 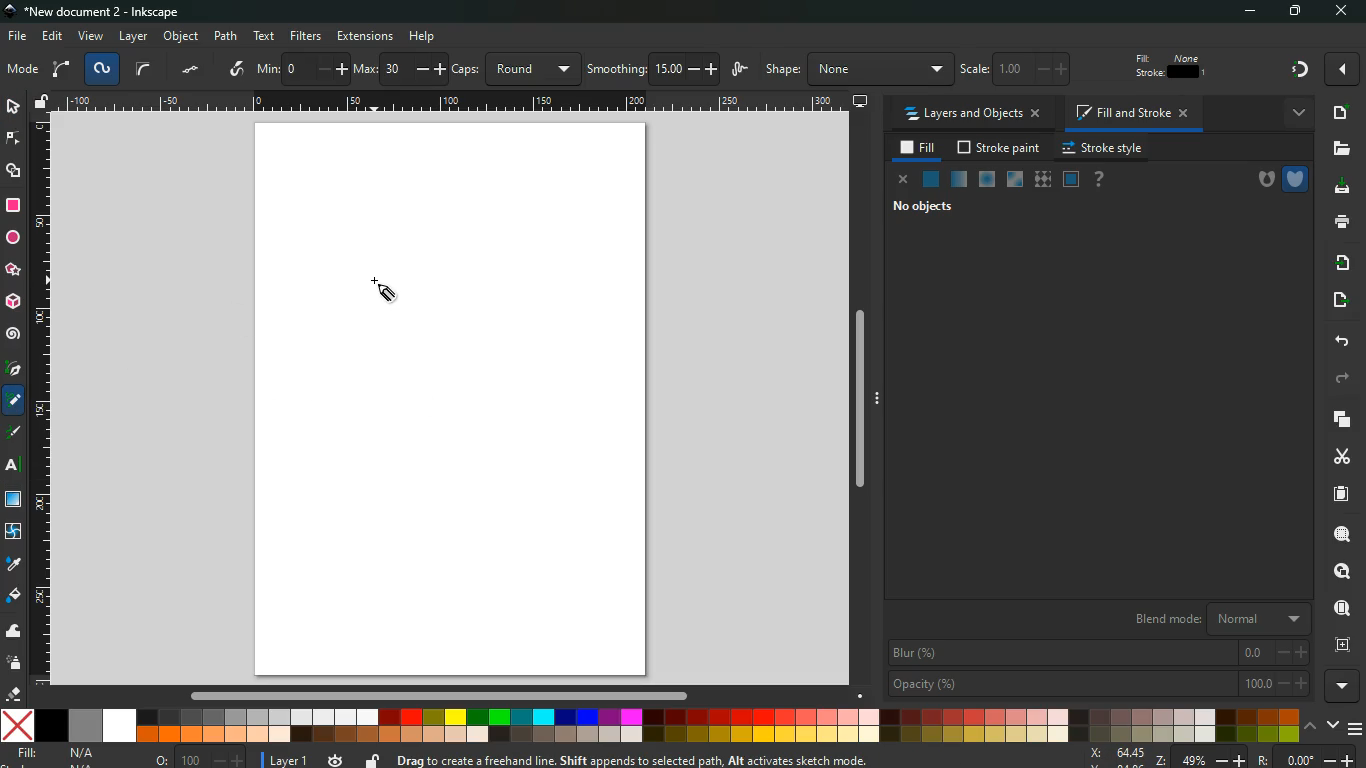 What do you see at coordinates (1356, 730) in the screenshot?
I see `menu` at bounding box center [1356, 730].